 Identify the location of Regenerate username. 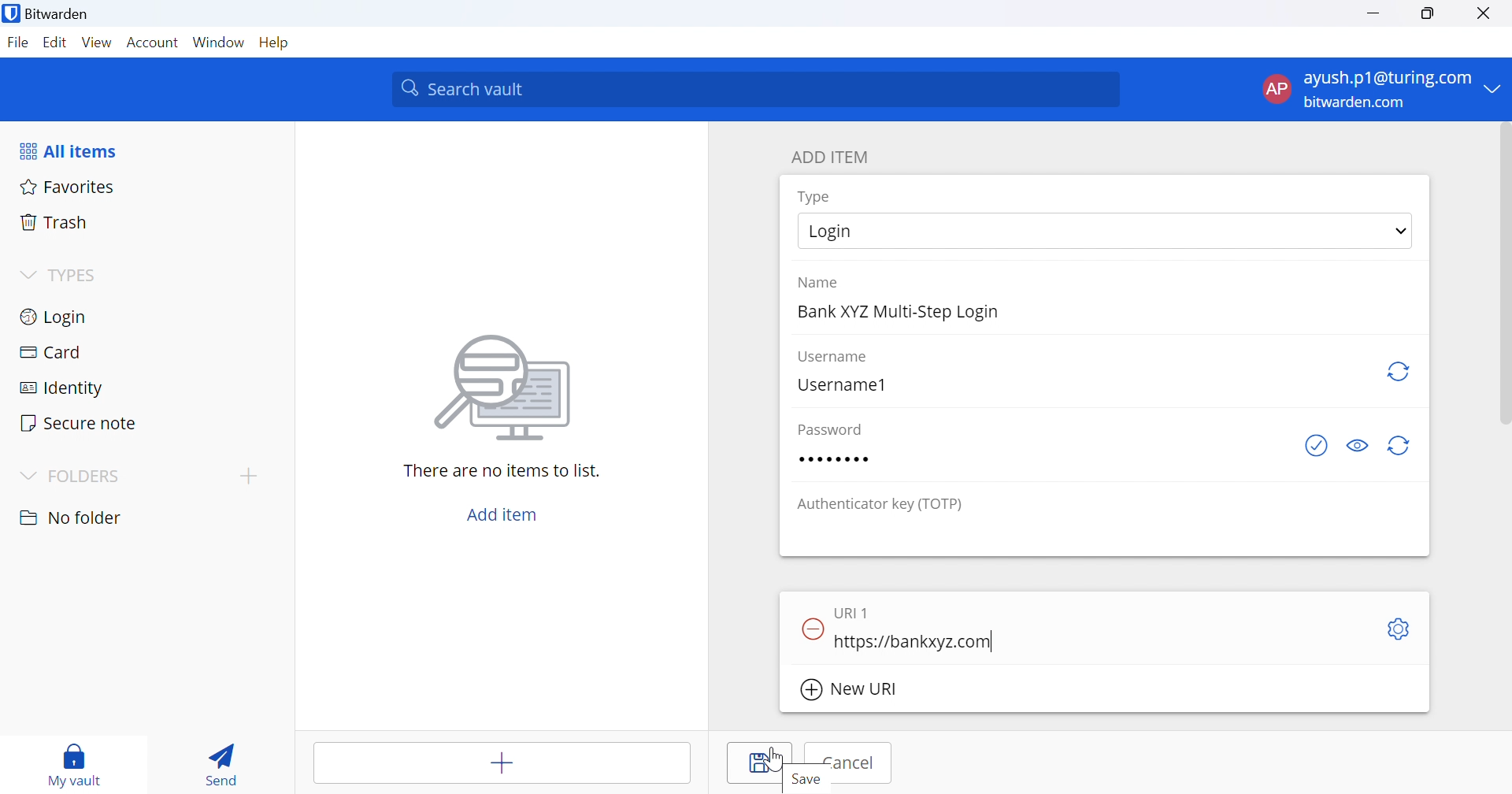
(1401, 374).